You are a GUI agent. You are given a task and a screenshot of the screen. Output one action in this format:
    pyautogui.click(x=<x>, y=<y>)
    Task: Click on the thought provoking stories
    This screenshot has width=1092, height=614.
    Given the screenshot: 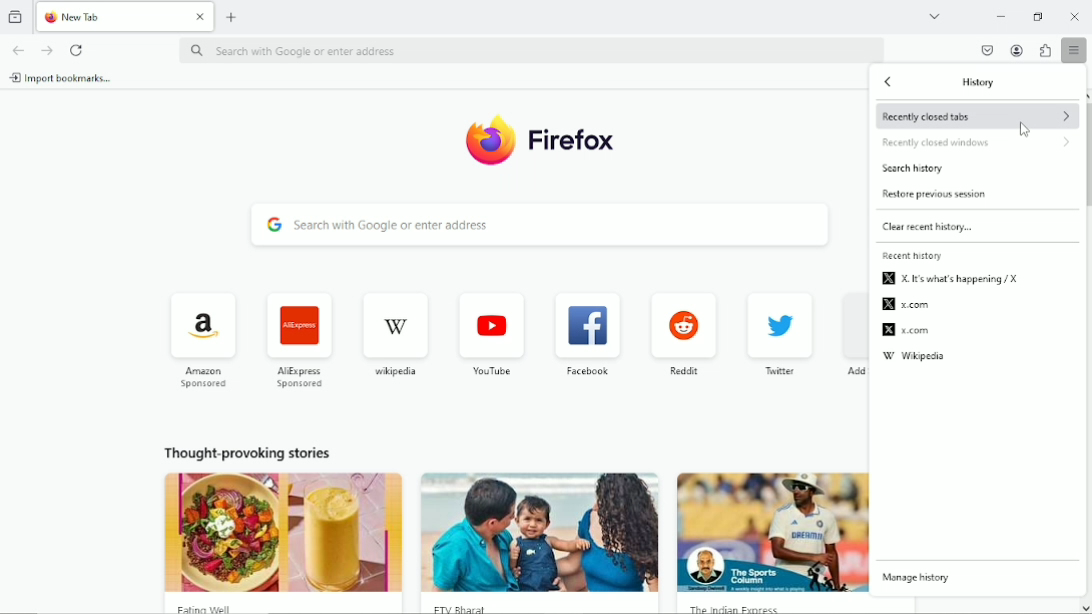 What is the action you would take?
    pyautogui.click(x=242, y=451)
    